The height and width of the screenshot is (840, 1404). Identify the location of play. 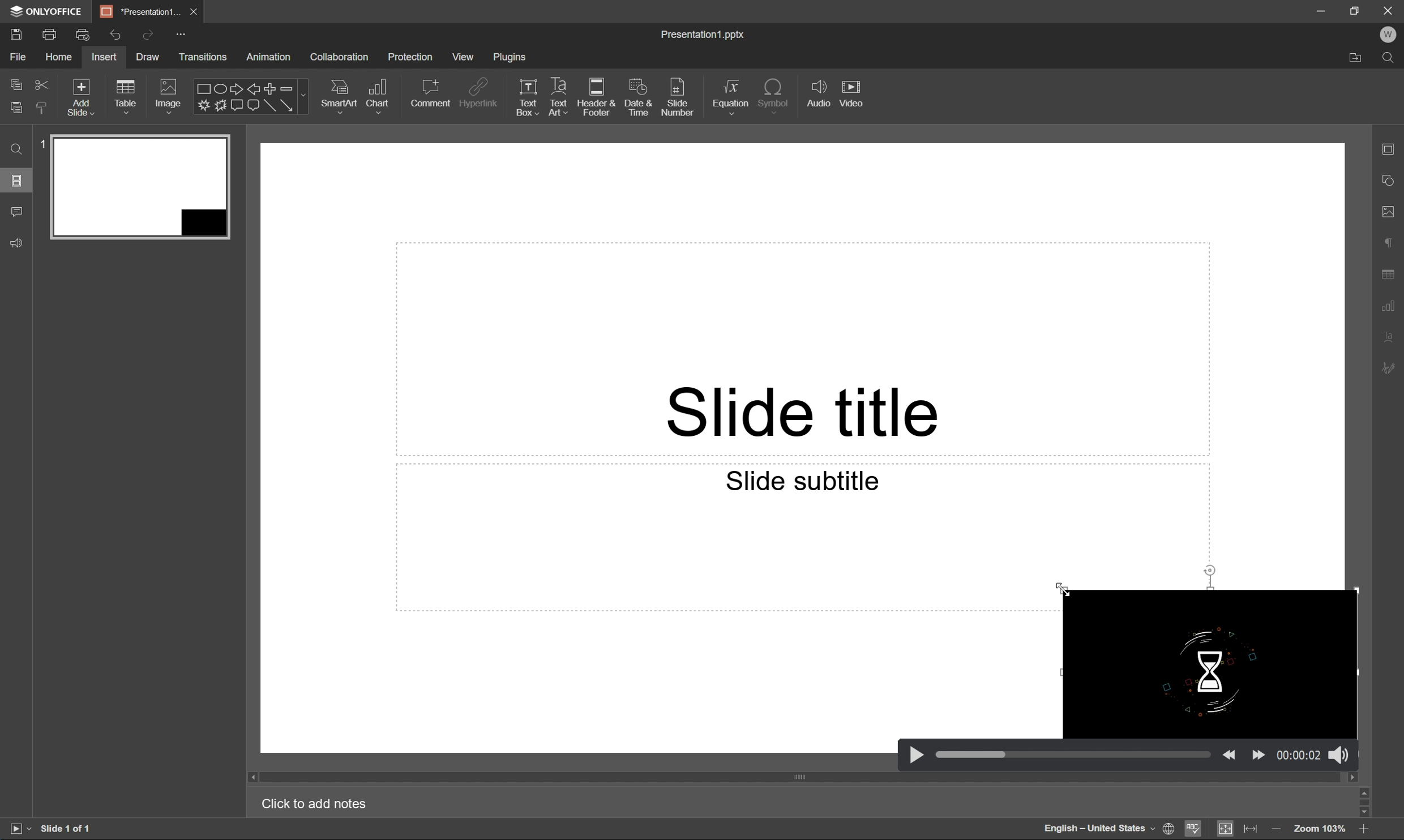
(916, 753).